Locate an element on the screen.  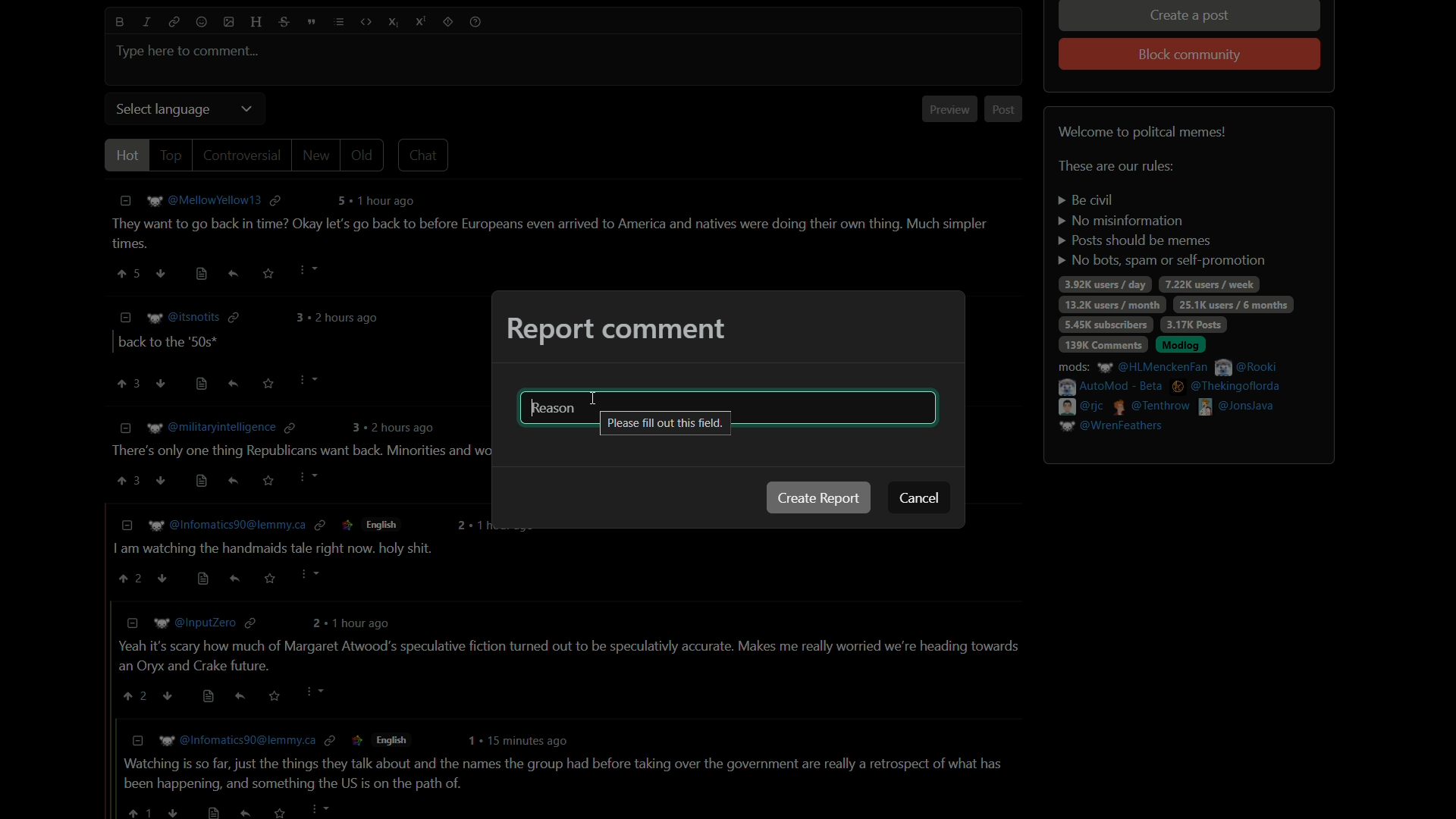
5.45k subscribers is located at coordinates (1106, 325).